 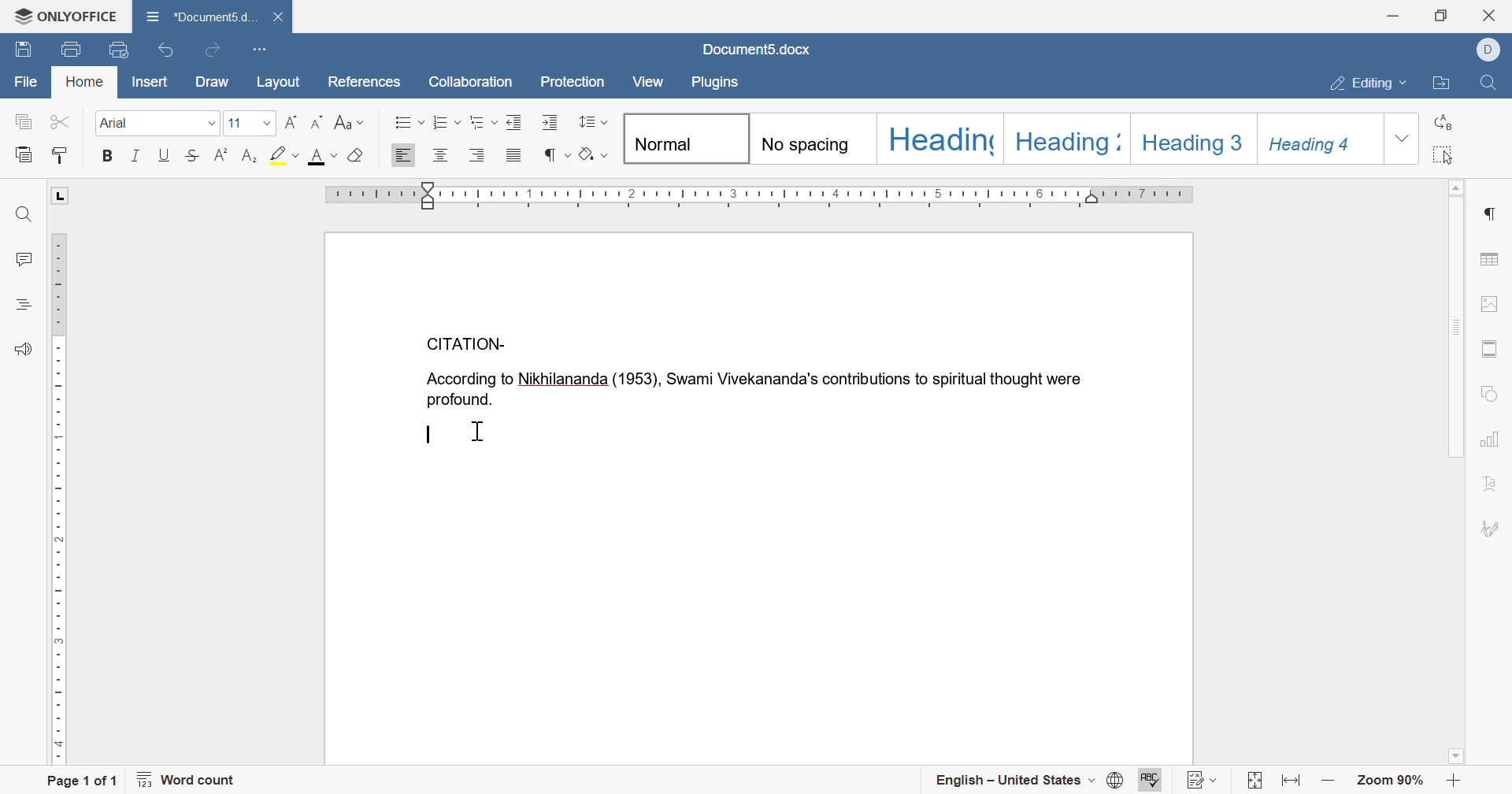 What do you see at coordinates (1289, 781) in the screenshot?
I see `fit to width` at bounding box center [1289, 781].